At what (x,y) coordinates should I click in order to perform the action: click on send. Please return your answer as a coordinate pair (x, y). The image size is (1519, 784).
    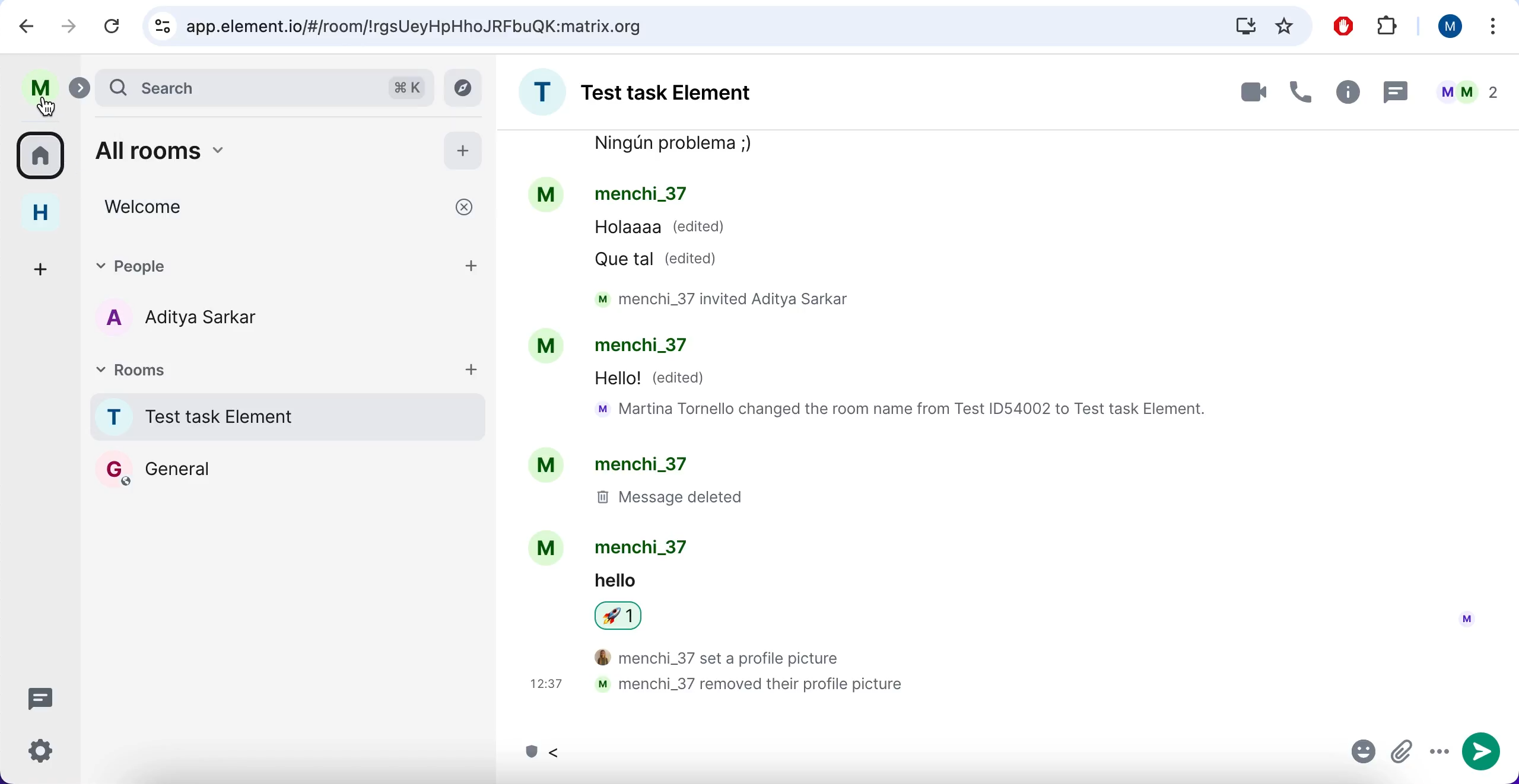
    Looking at the image, I should click on (1482, 754).